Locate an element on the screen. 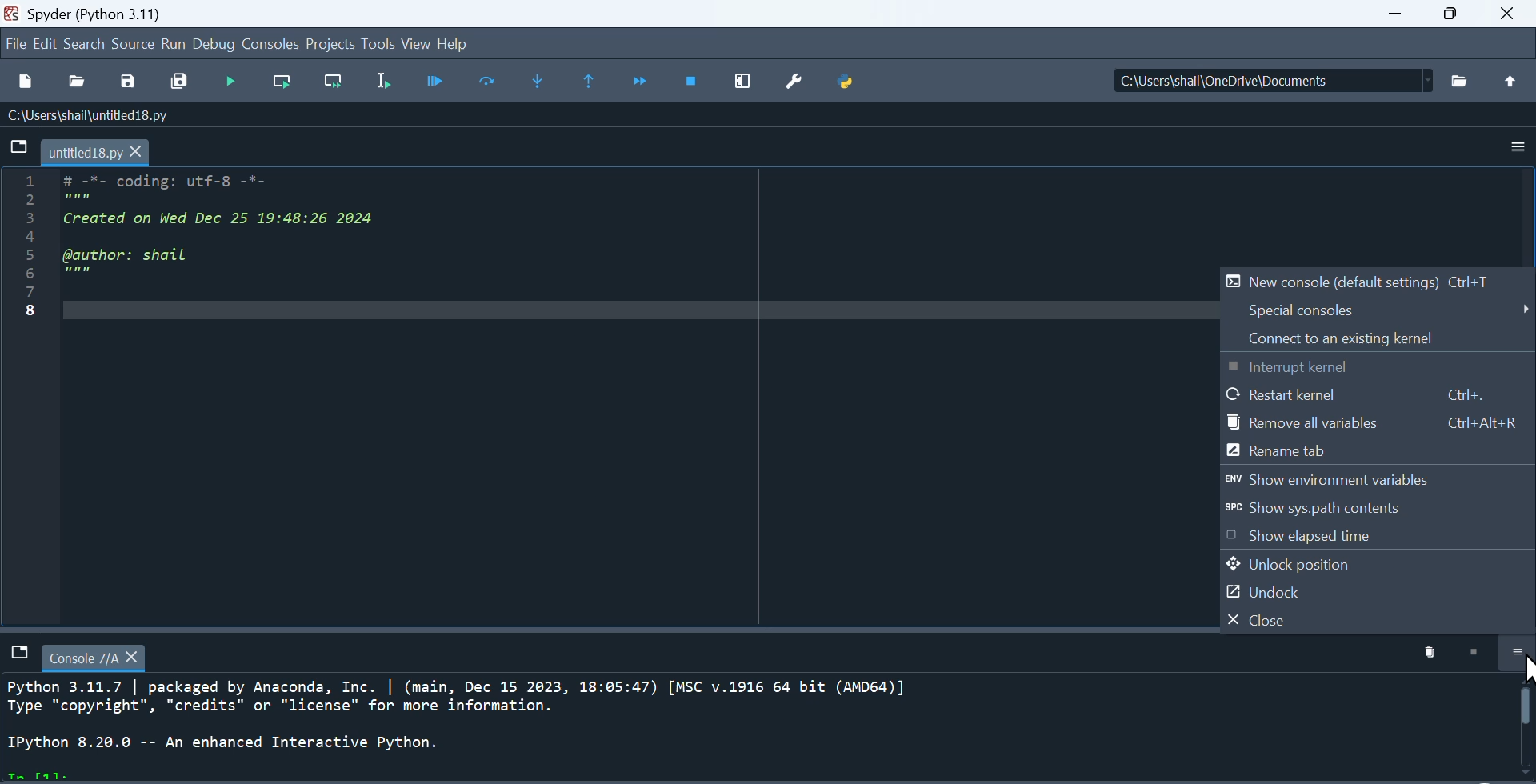 This screenshot has height=784, width=1536. projects is located at coordinates (326, 43).